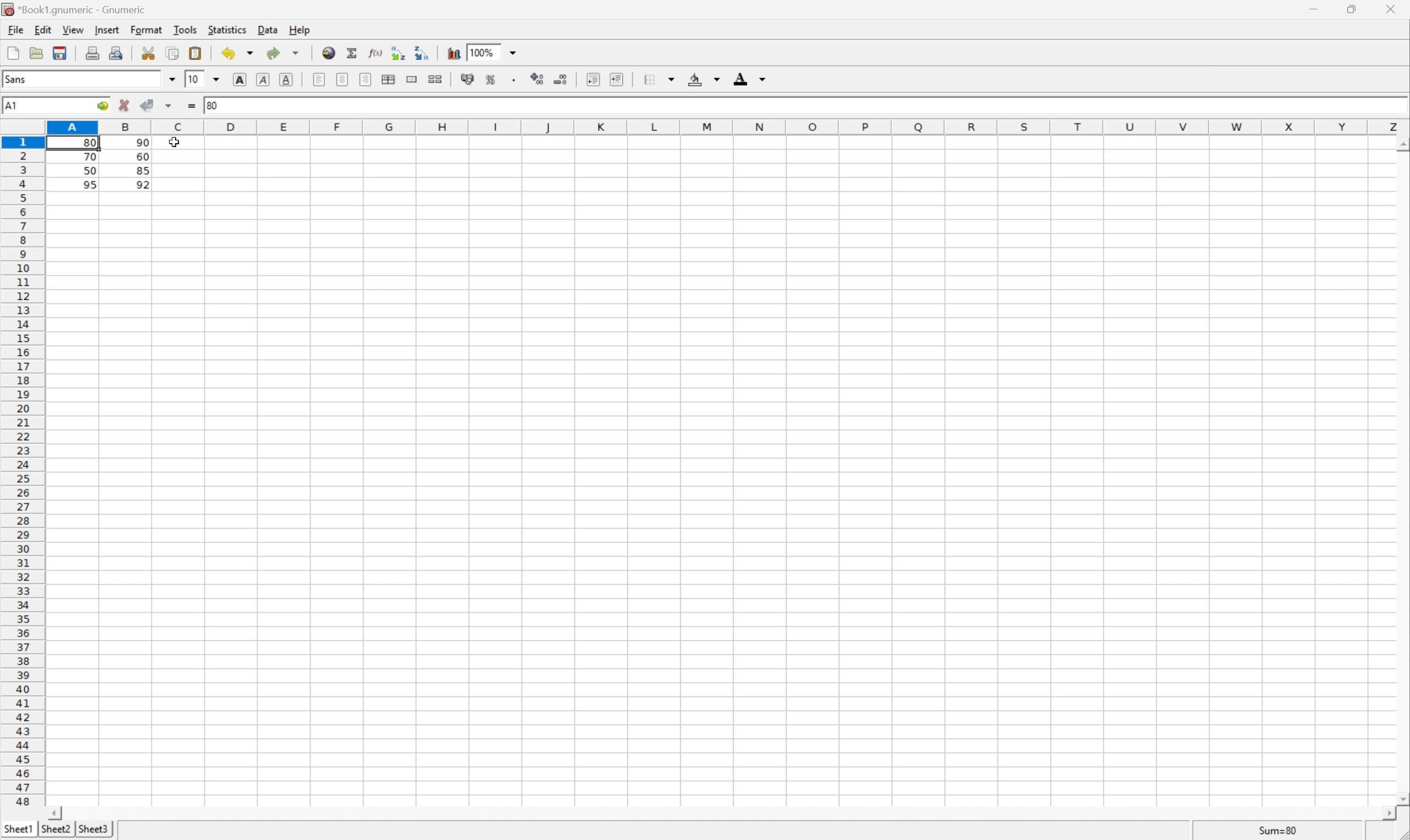  Describe the element at coordinates (539, 79) in the screenshot. I see `Increase the number of decimals displayed` at that location.